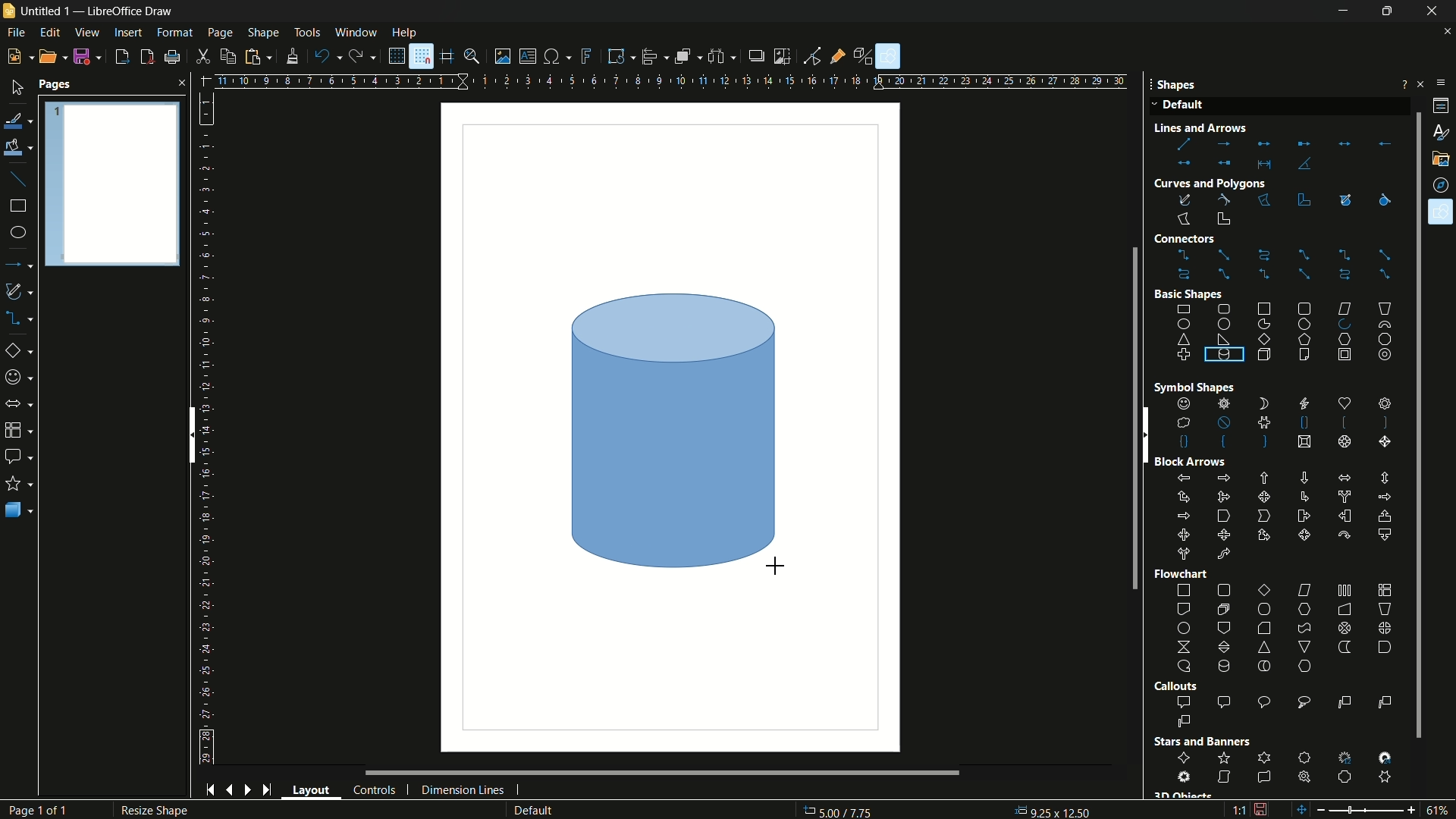  What do you see at coordinates (17, 179) in the screenshot?
I see `insert line` at bounding box center [17, 179].